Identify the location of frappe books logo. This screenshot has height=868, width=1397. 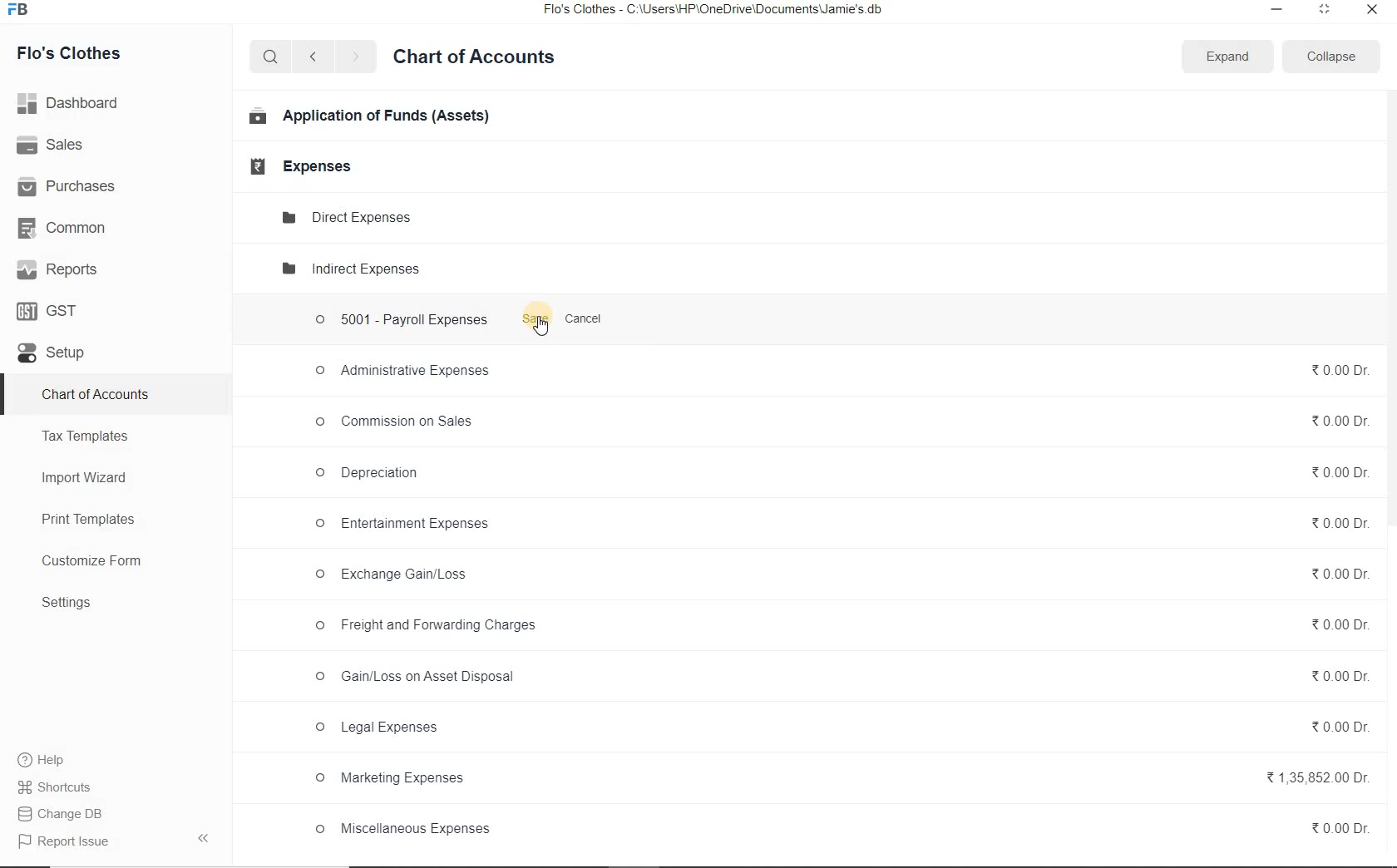
(22, 11).